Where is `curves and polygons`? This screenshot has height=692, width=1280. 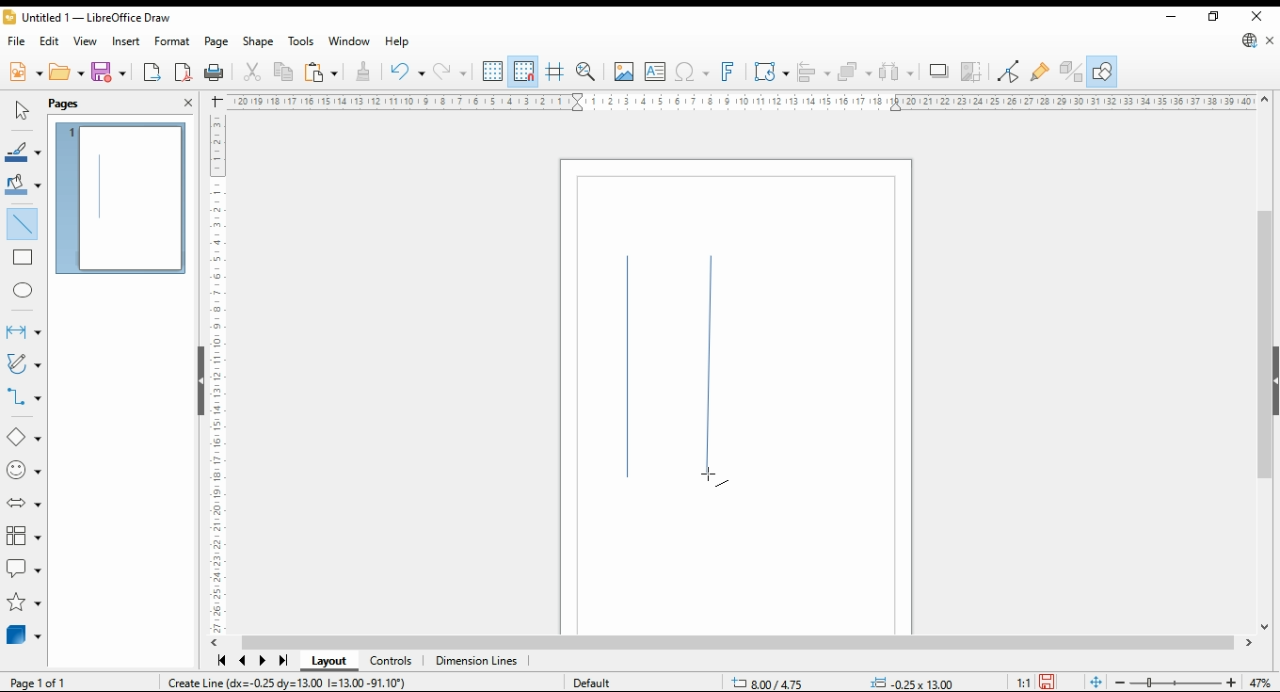
curves and polygons is located at coordinates (22, 365).